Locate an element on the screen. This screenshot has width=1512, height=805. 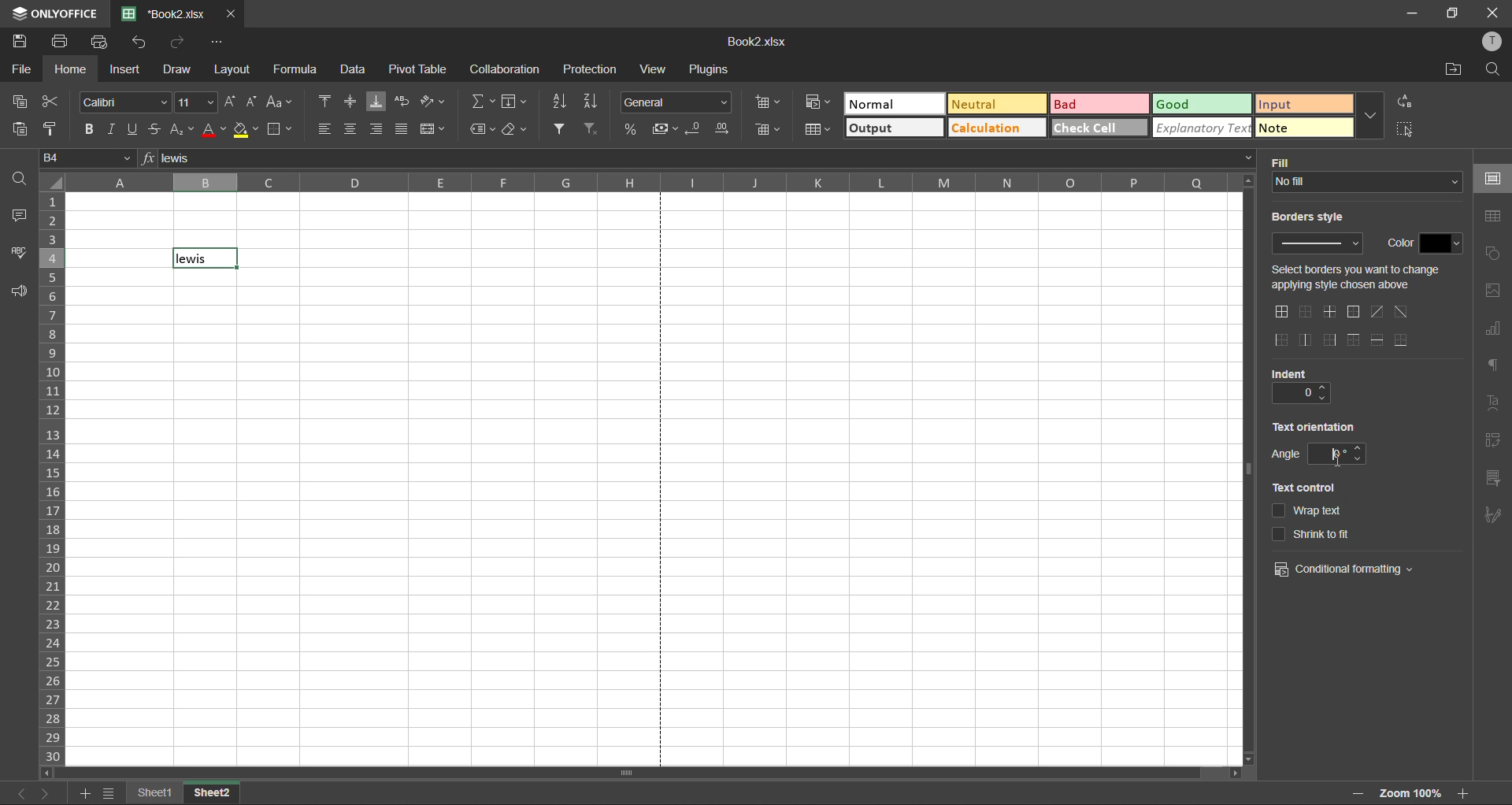
customize quick access toolbar is located at coordinates (219, 43).